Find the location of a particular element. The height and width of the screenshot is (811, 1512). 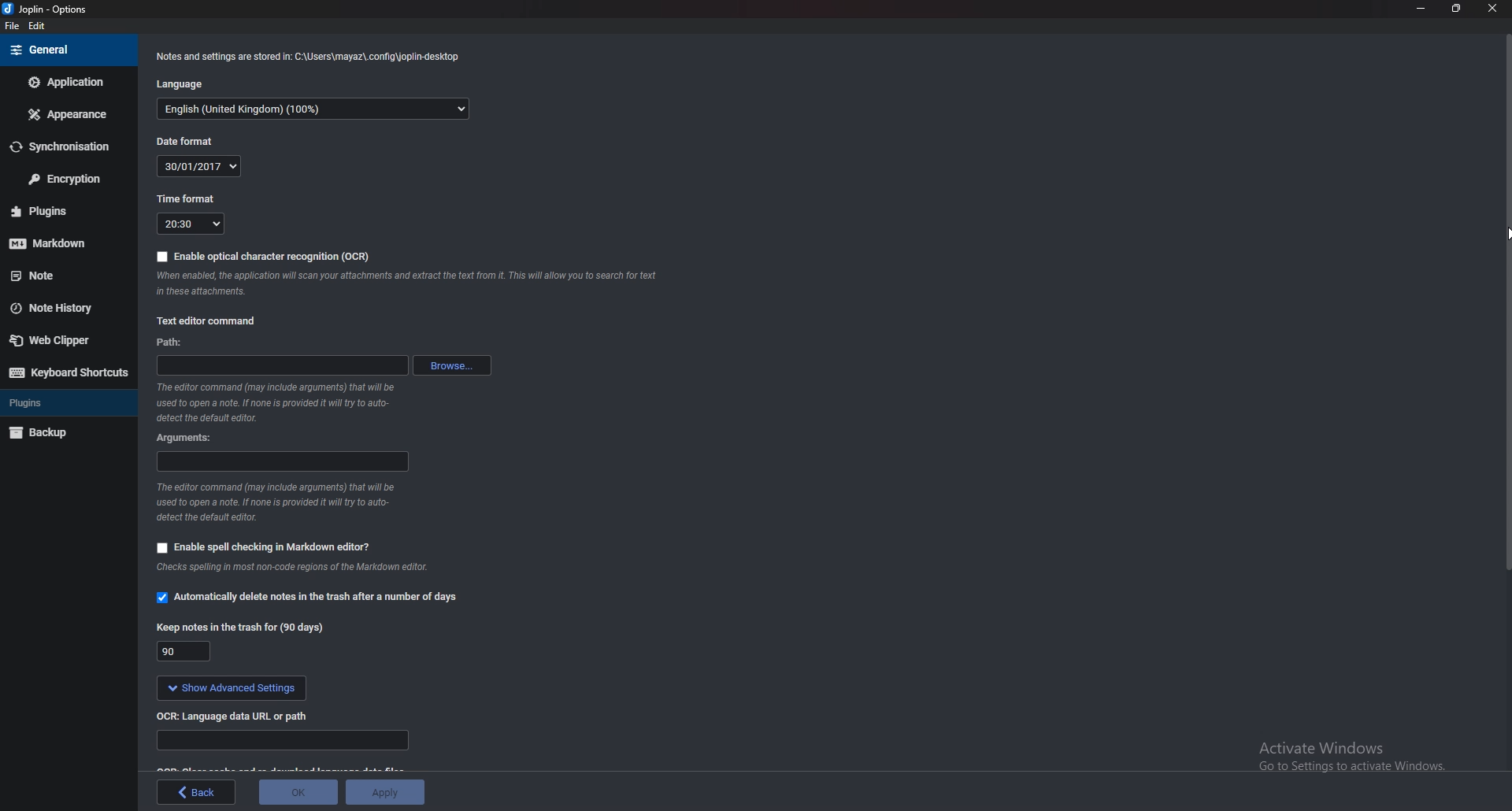

info is located at coordinates (328, 571).